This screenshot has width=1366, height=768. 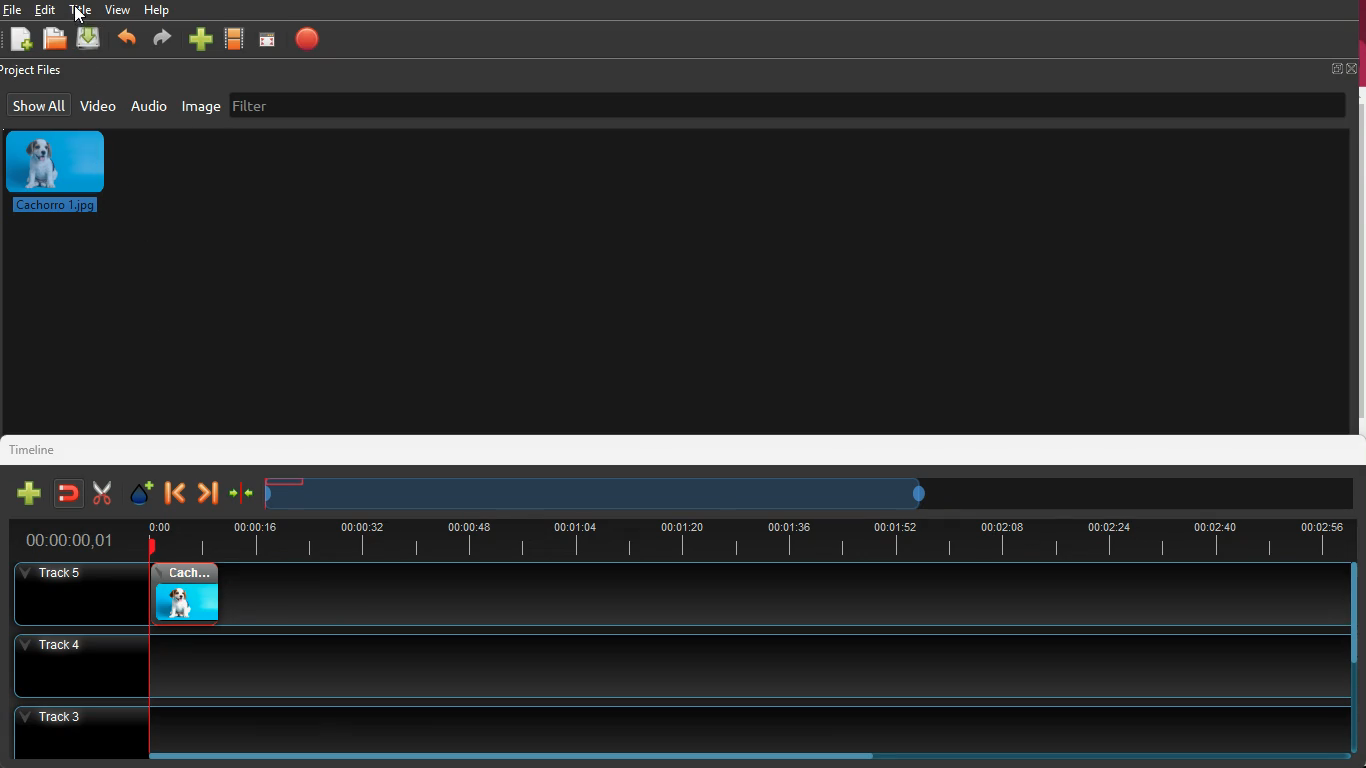 What do you see at coordinates (78, 18) in the screenshot?
I see `cursor` at bounding box center [78, 18].